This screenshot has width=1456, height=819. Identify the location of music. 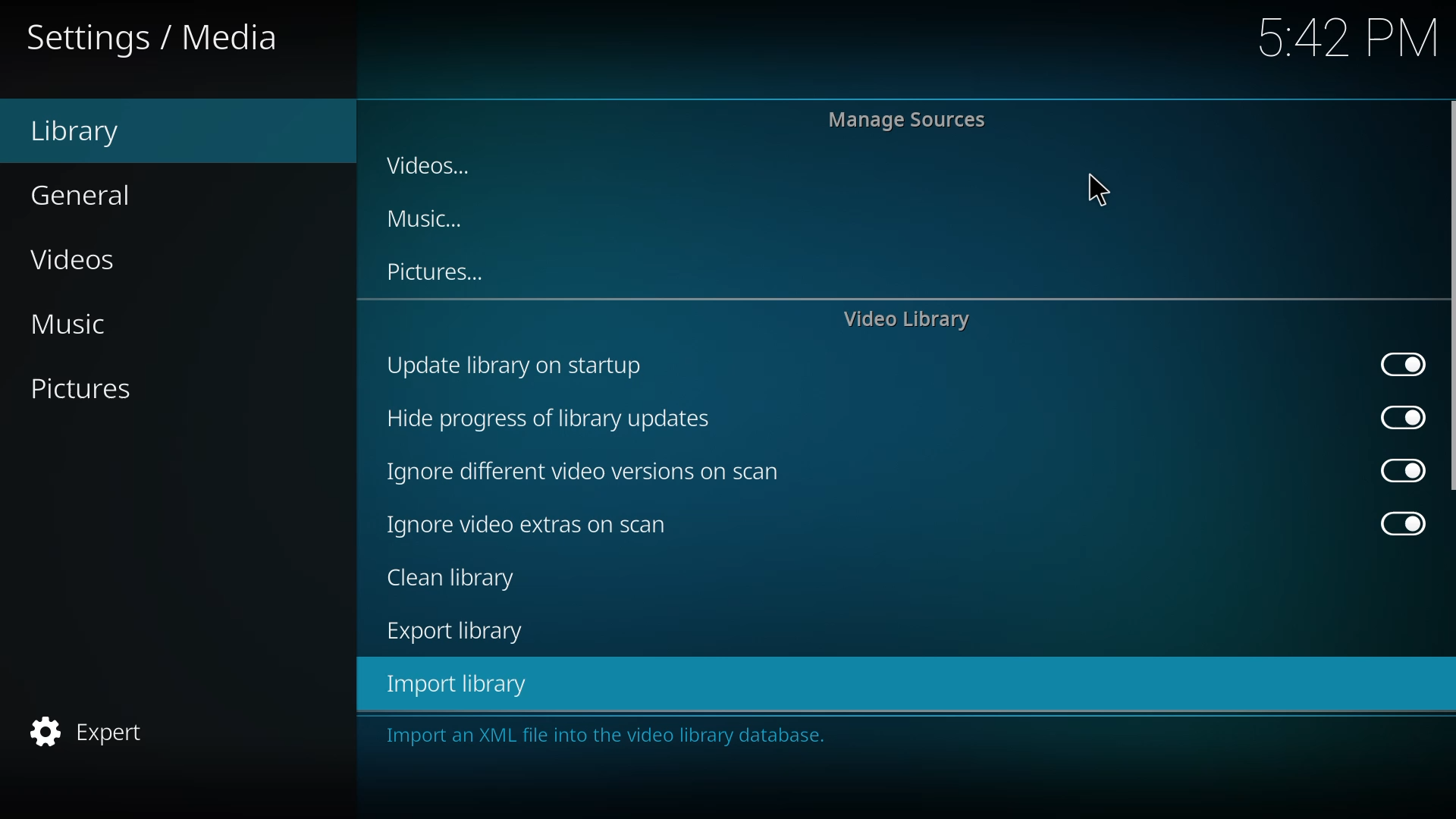
(89, 322).